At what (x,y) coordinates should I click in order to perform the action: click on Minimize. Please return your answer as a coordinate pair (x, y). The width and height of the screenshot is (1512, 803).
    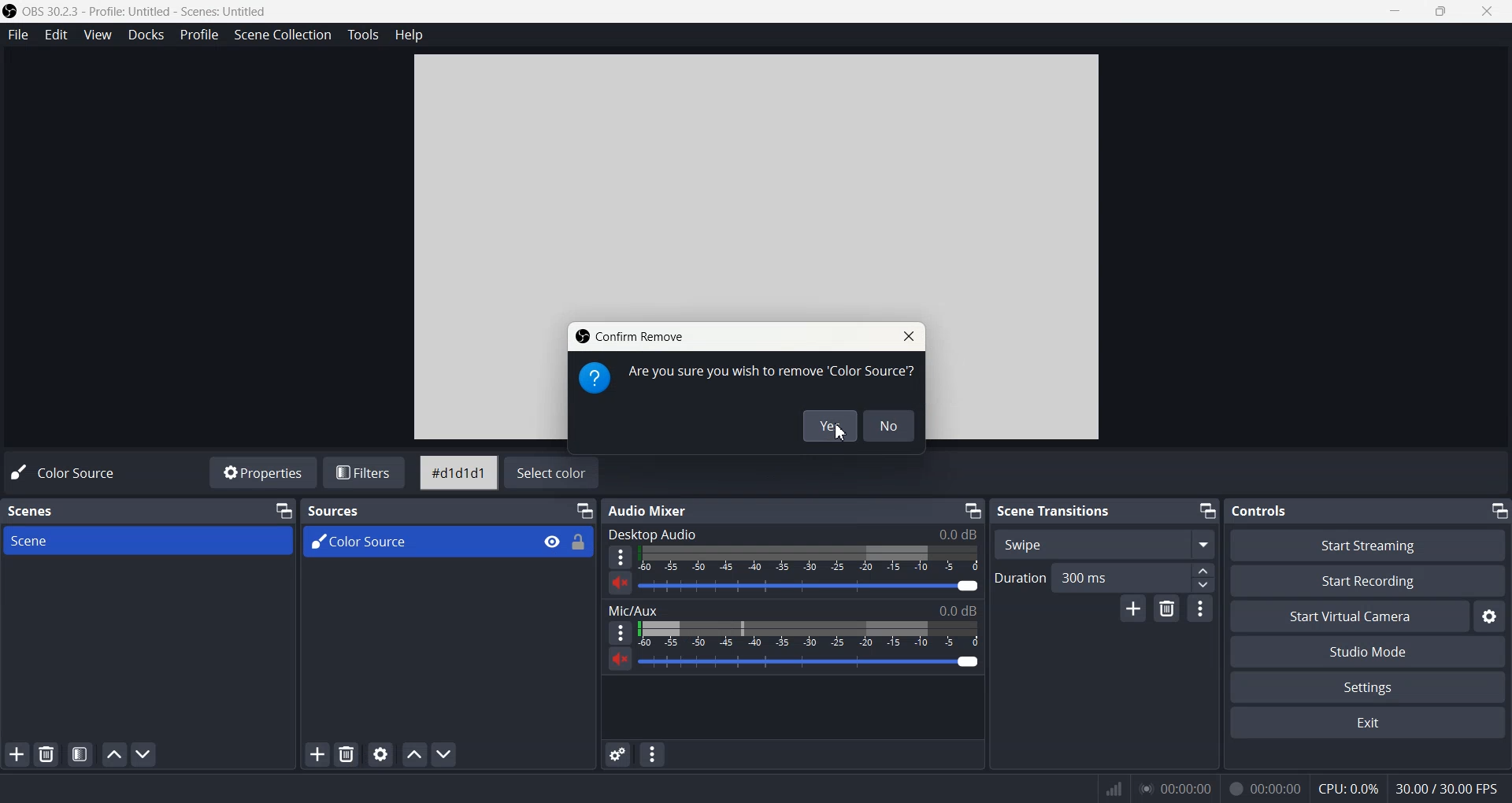
    Looking at the image, I should click on (283, 510).